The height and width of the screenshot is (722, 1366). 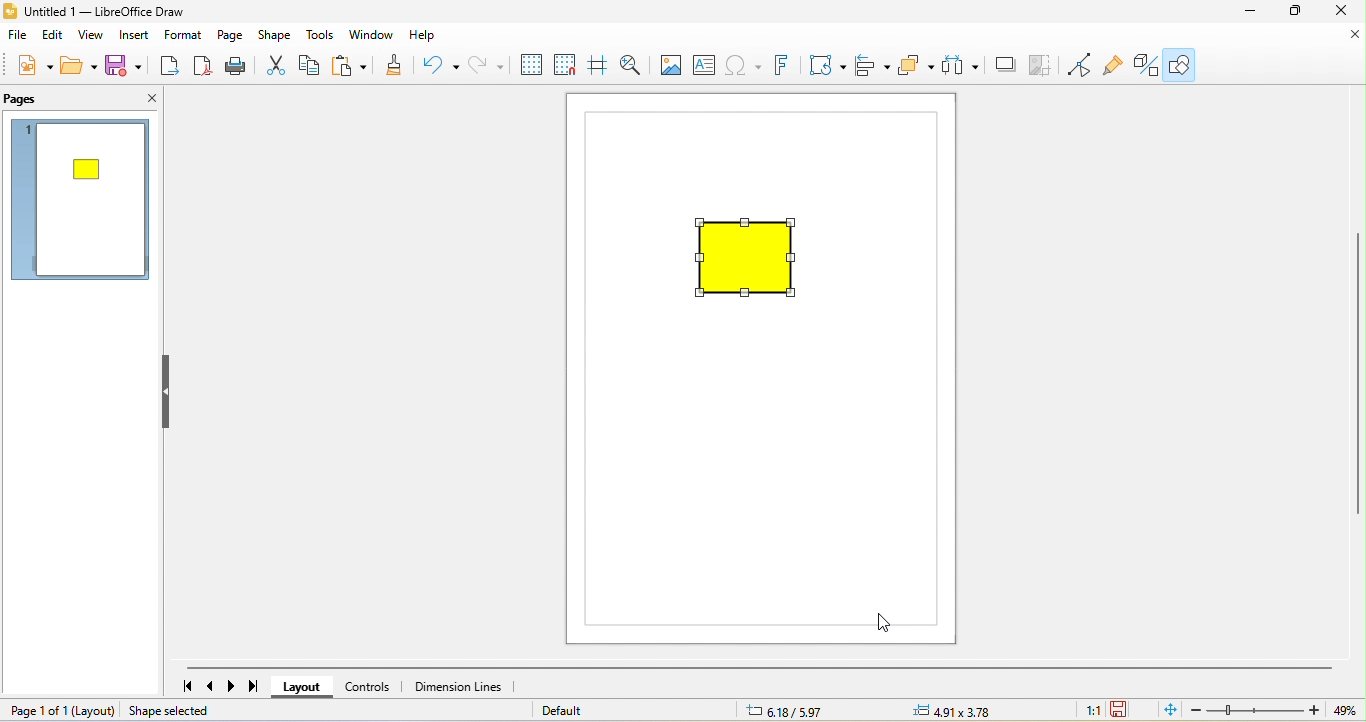 What do you see at coordinates (632, 64) in the screenshot?
I see `zoom and pan` at bounding box center [632, 64].